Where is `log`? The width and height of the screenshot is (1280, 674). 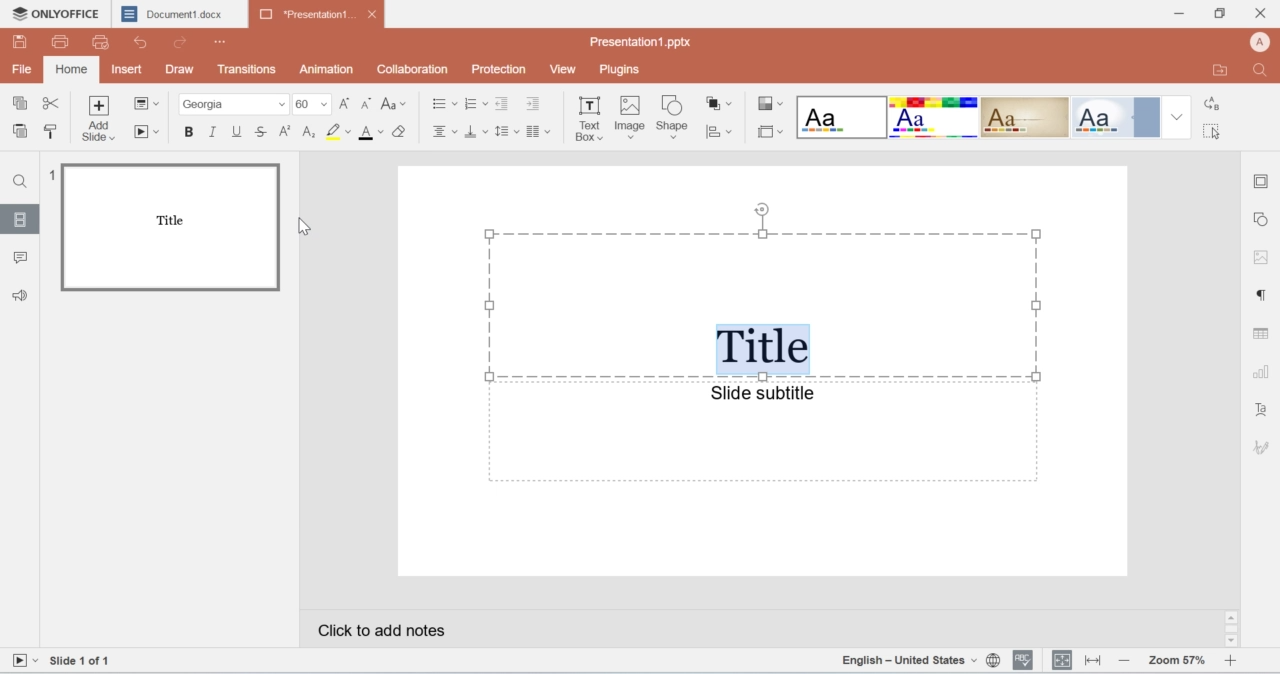
log is located at coordinates (311, 132).